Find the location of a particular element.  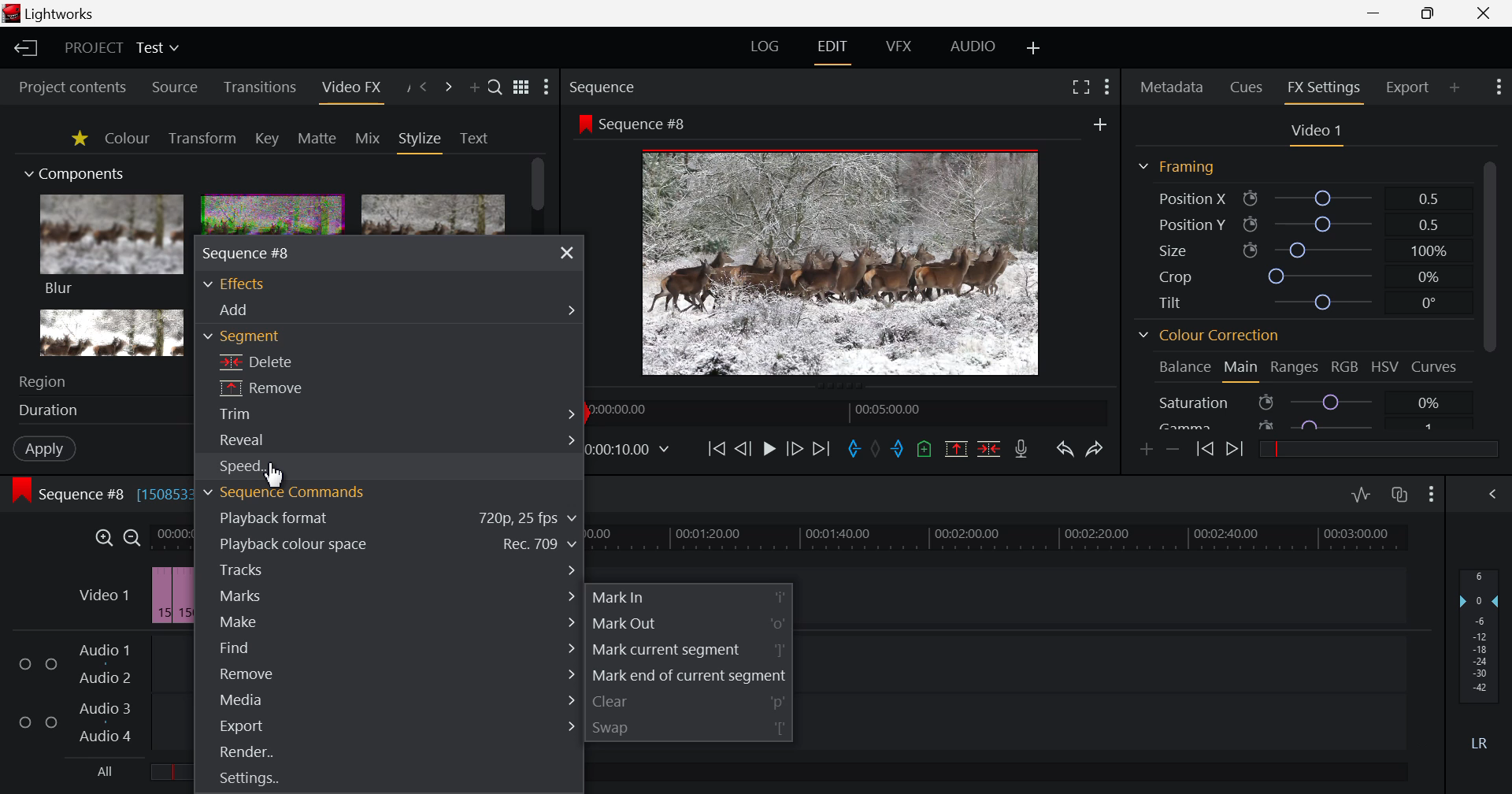

Reveal is located at coordinates (394, 442).